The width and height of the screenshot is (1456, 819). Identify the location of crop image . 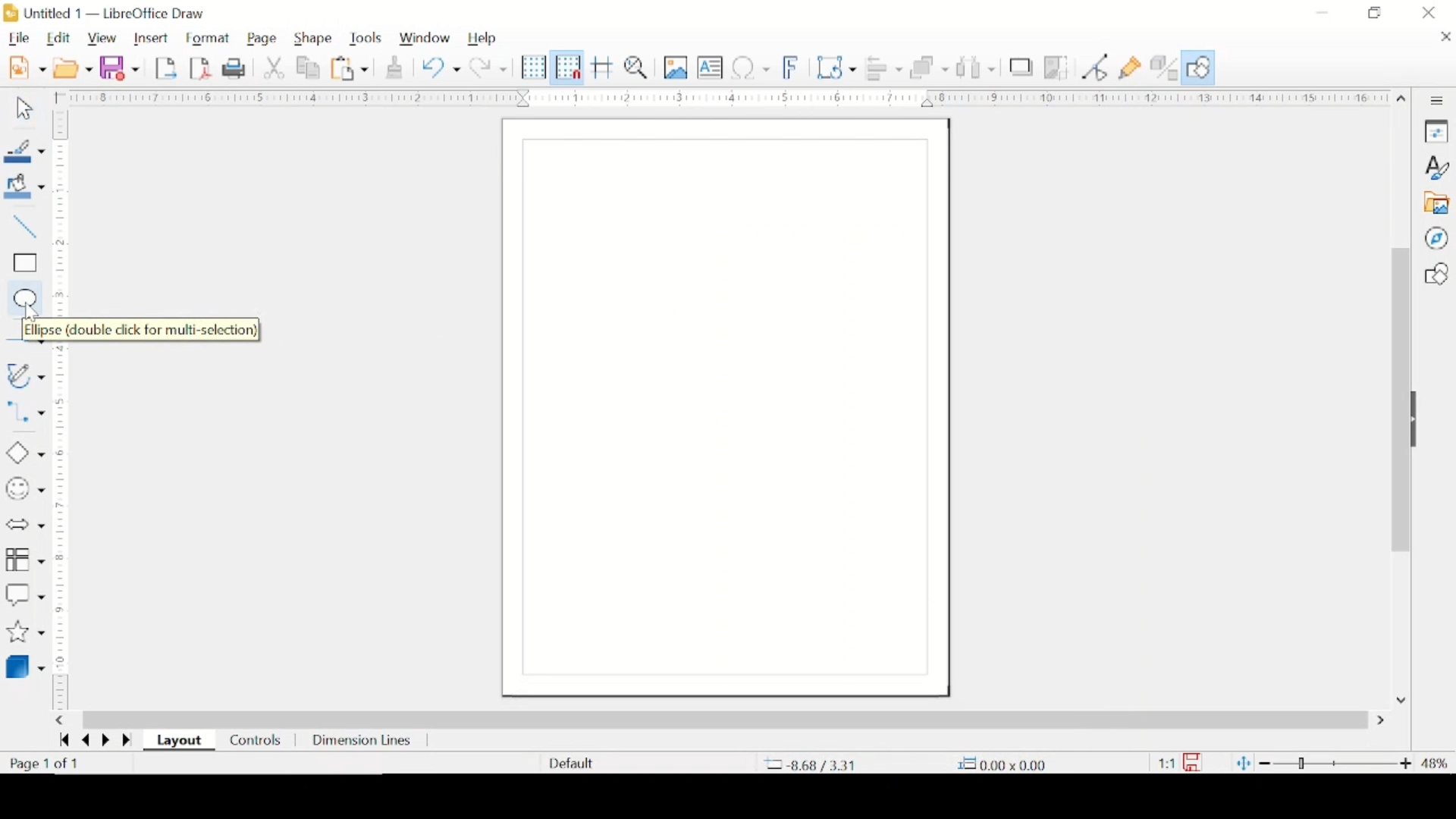
(1056, 67).